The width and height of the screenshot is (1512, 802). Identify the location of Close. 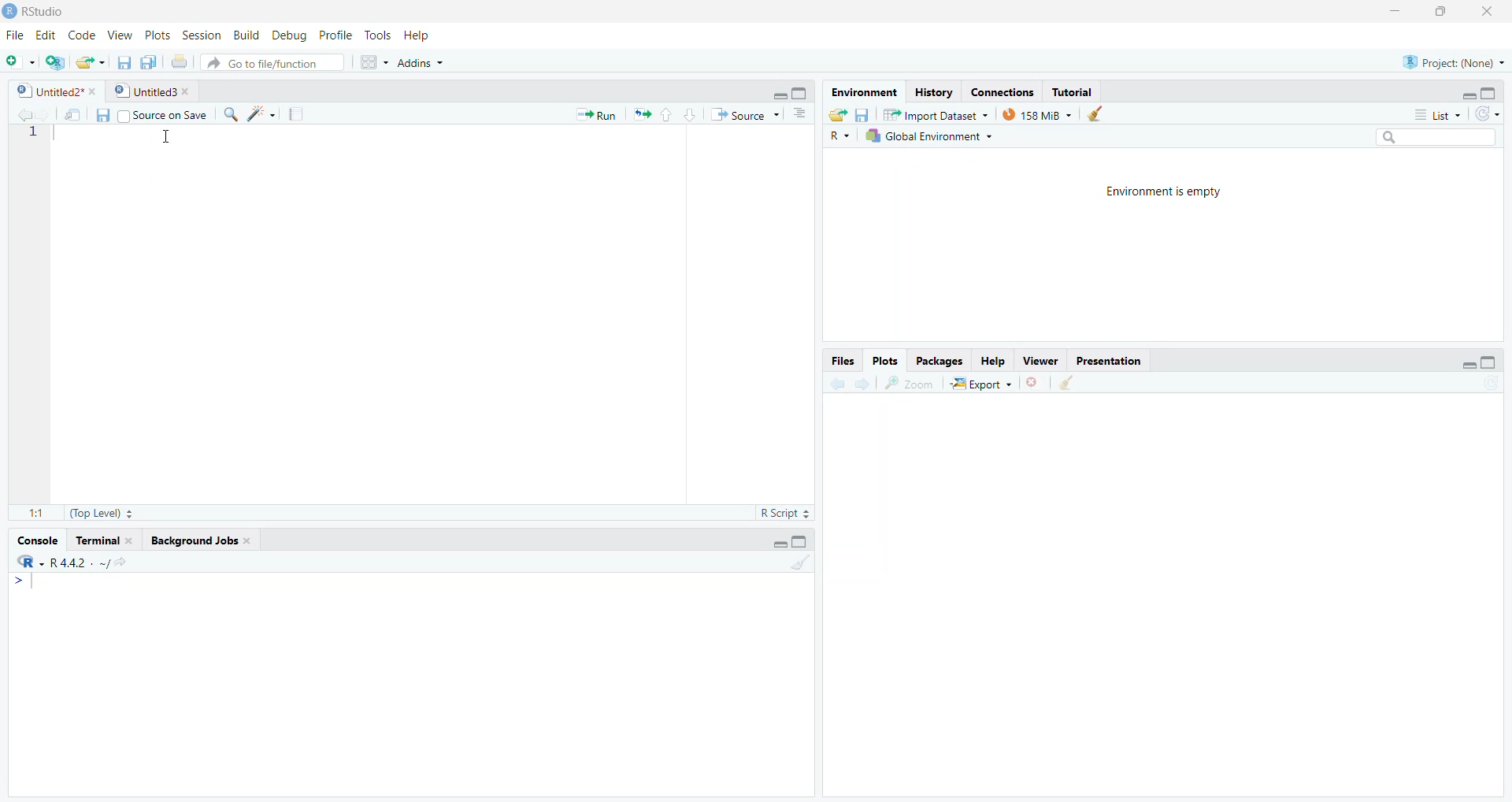
(1489, 16).